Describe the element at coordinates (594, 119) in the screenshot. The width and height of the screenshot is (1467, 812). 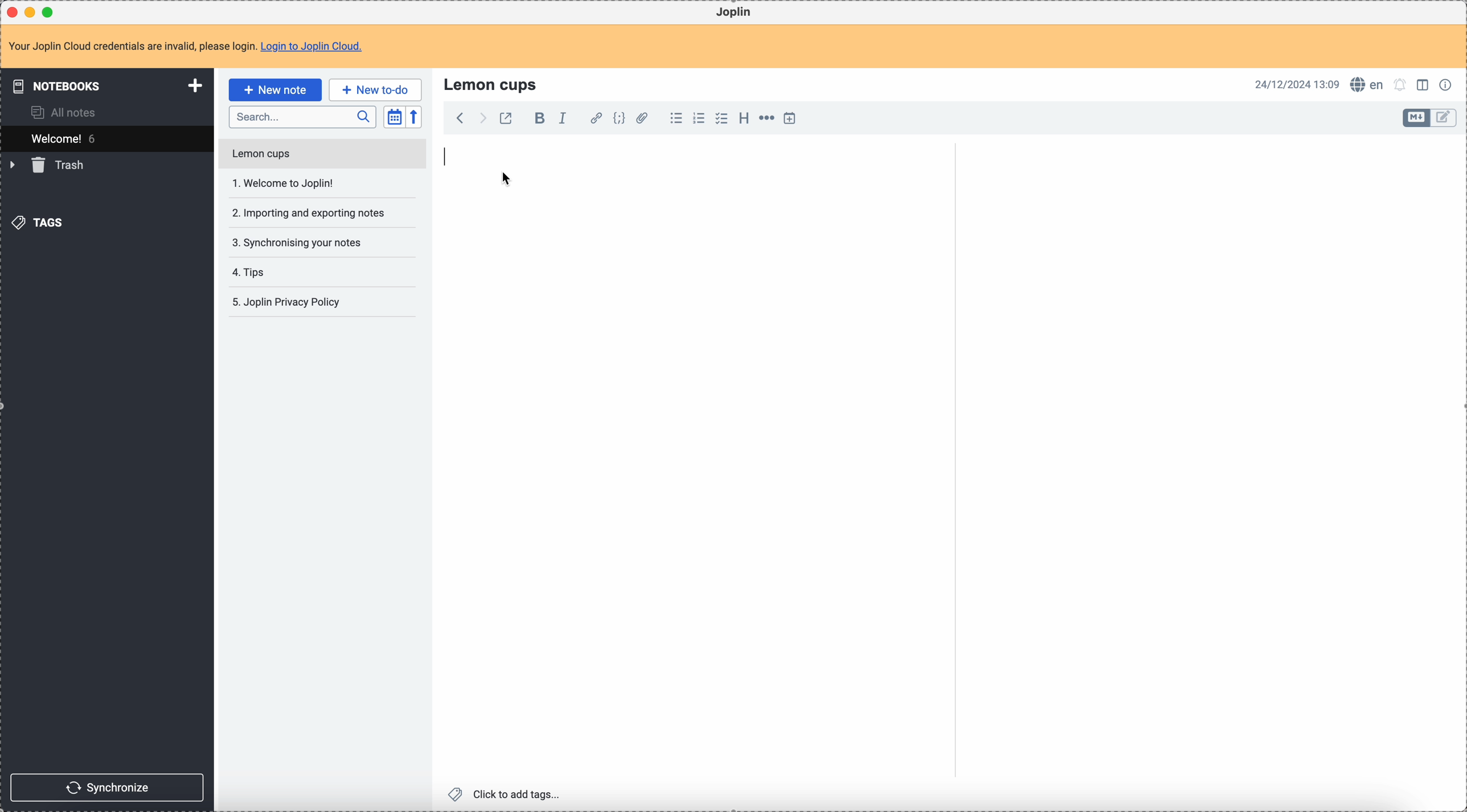
I see `hyperlink` at that location.